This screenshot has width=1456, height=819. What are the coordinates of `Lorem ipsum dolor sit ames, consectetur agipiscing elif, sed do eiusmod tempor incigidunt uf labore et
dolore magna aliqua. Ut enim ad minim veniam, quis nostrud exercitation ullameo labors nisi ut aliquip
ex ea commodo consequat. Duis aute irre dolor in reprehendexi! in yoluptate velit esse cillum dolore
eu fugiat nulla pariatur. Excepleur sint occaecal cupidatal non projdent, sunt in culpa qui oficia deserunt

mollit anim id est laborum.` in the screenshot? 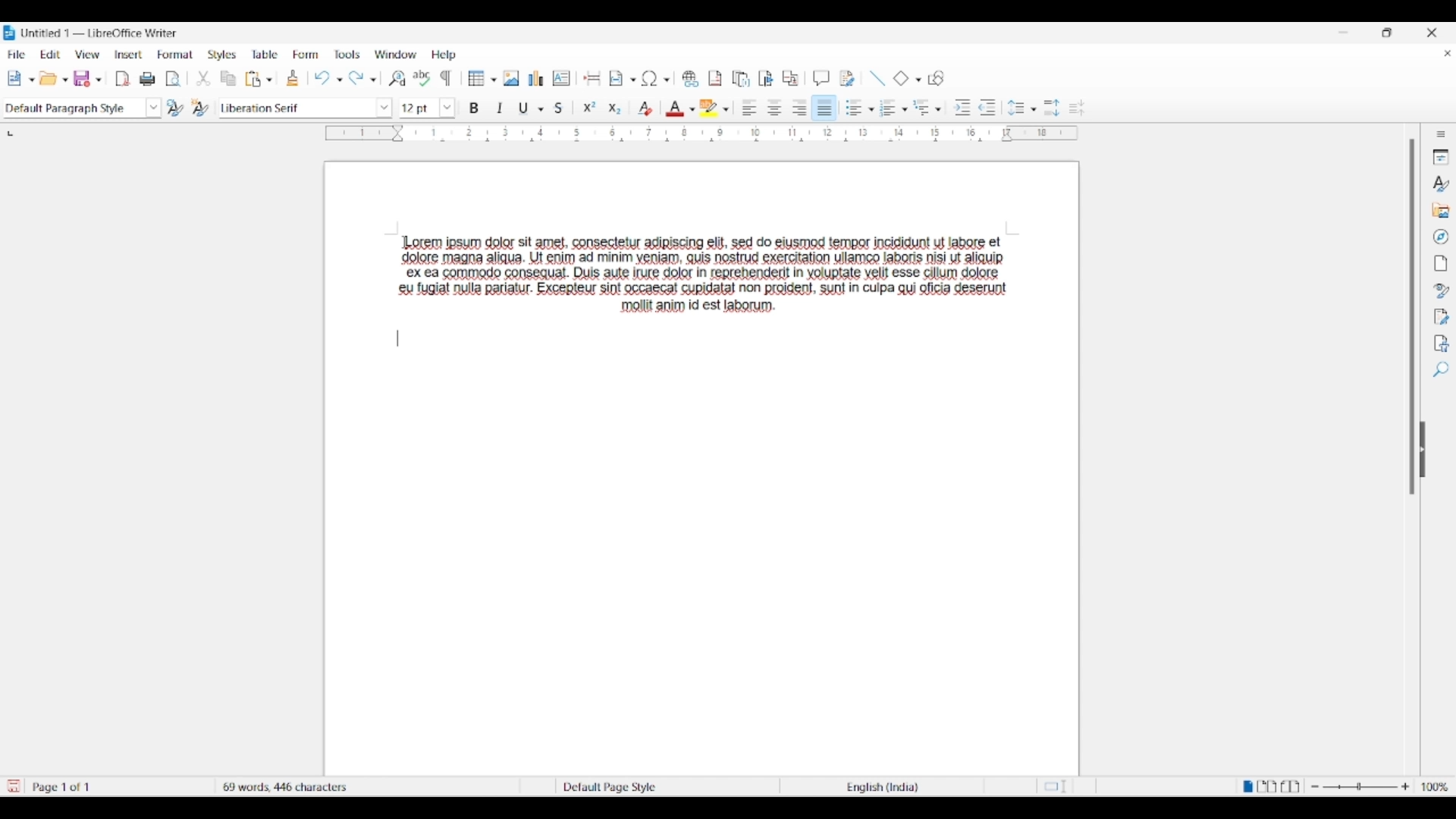 It's located at (711, 275).